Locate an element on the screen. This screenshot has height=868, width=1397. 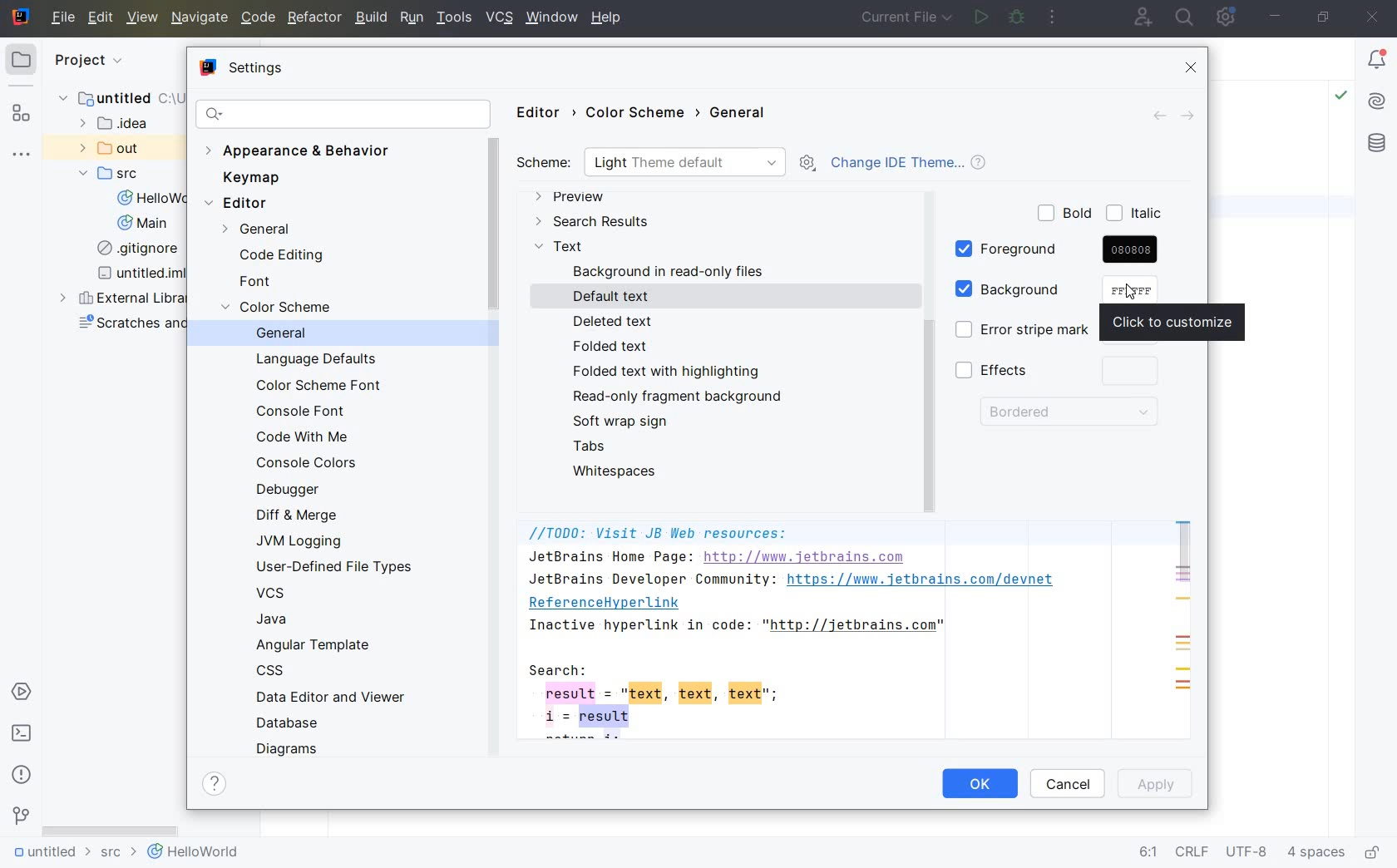
BACKGROUND is located at coordinates (1034, 290).